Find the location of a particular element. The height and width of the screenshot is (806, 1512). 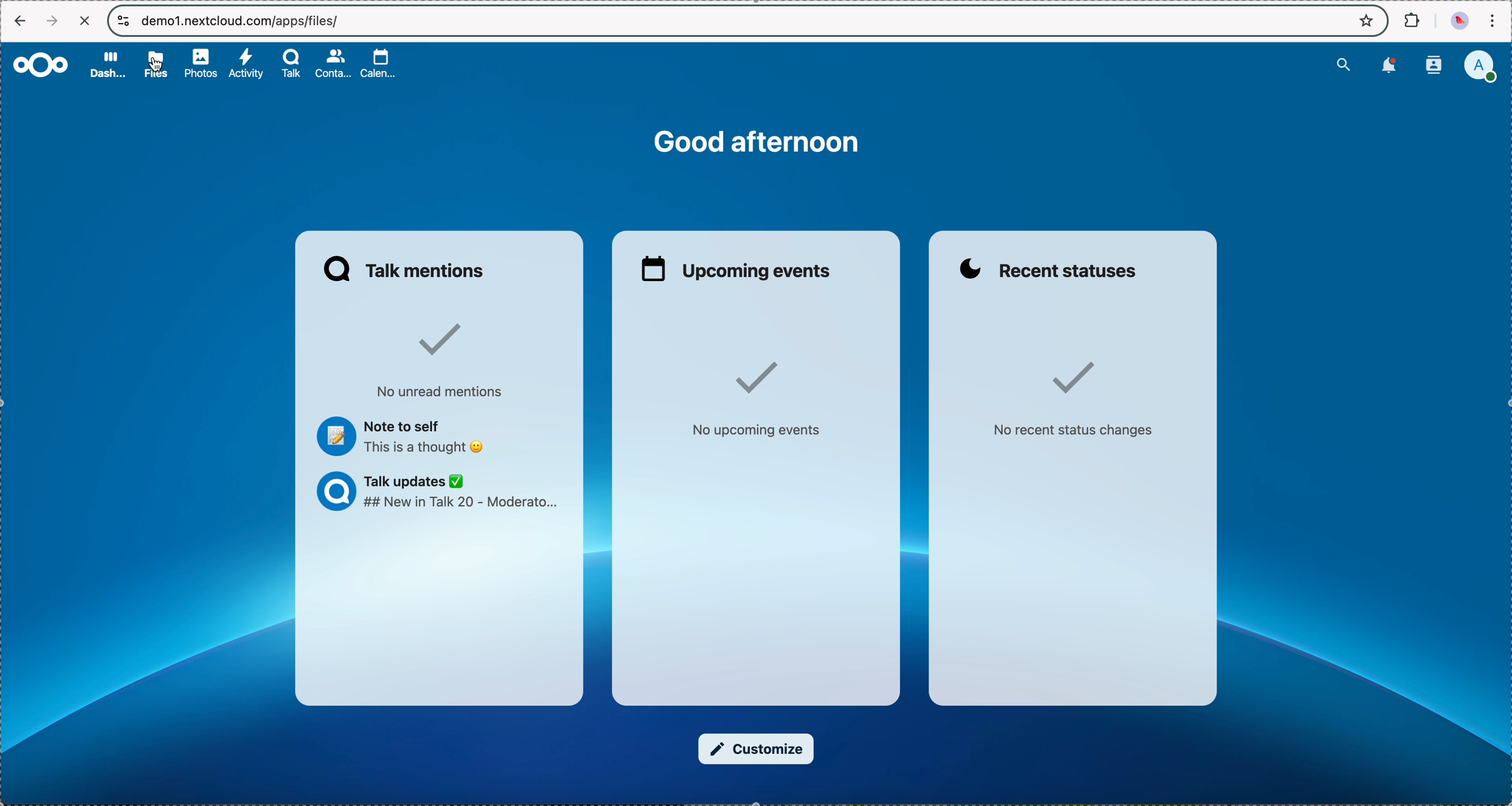

Talk is located at coordinates (291, 63).